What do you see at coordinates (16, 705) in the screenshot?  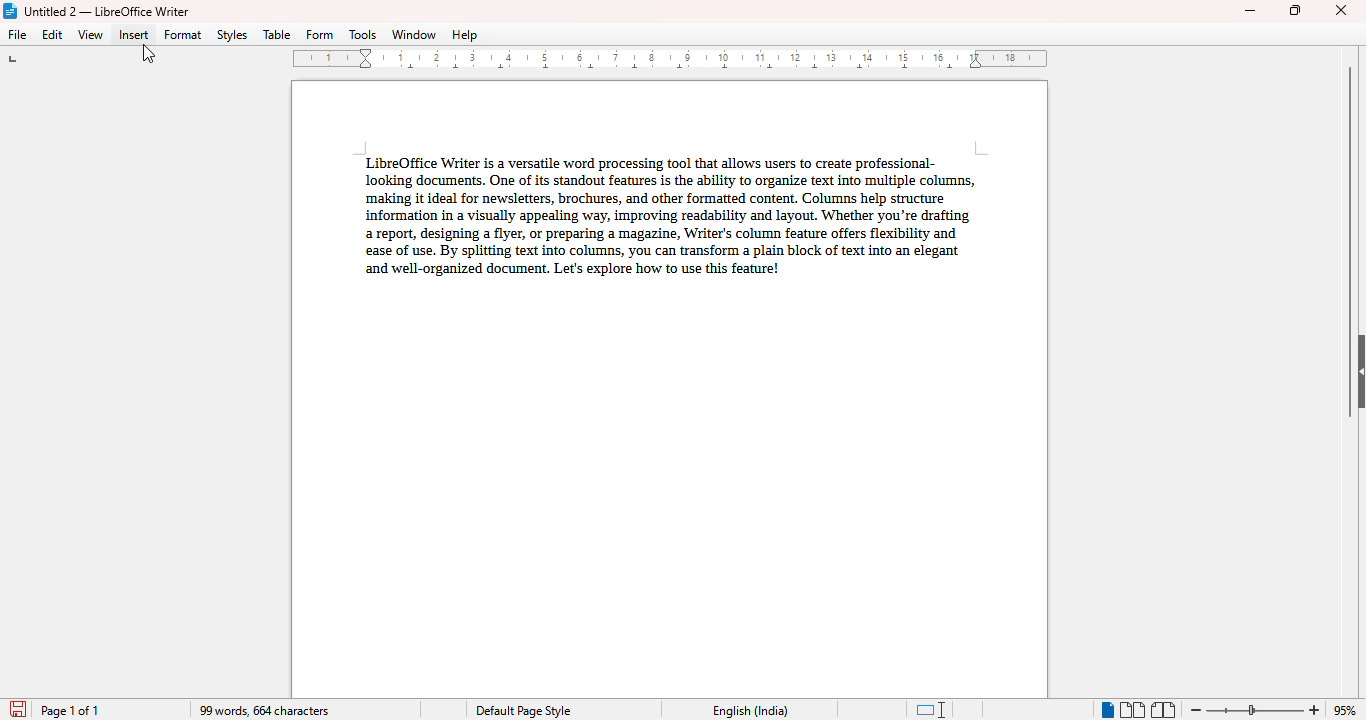 I see `Save document` at bounding box center [16, 705].